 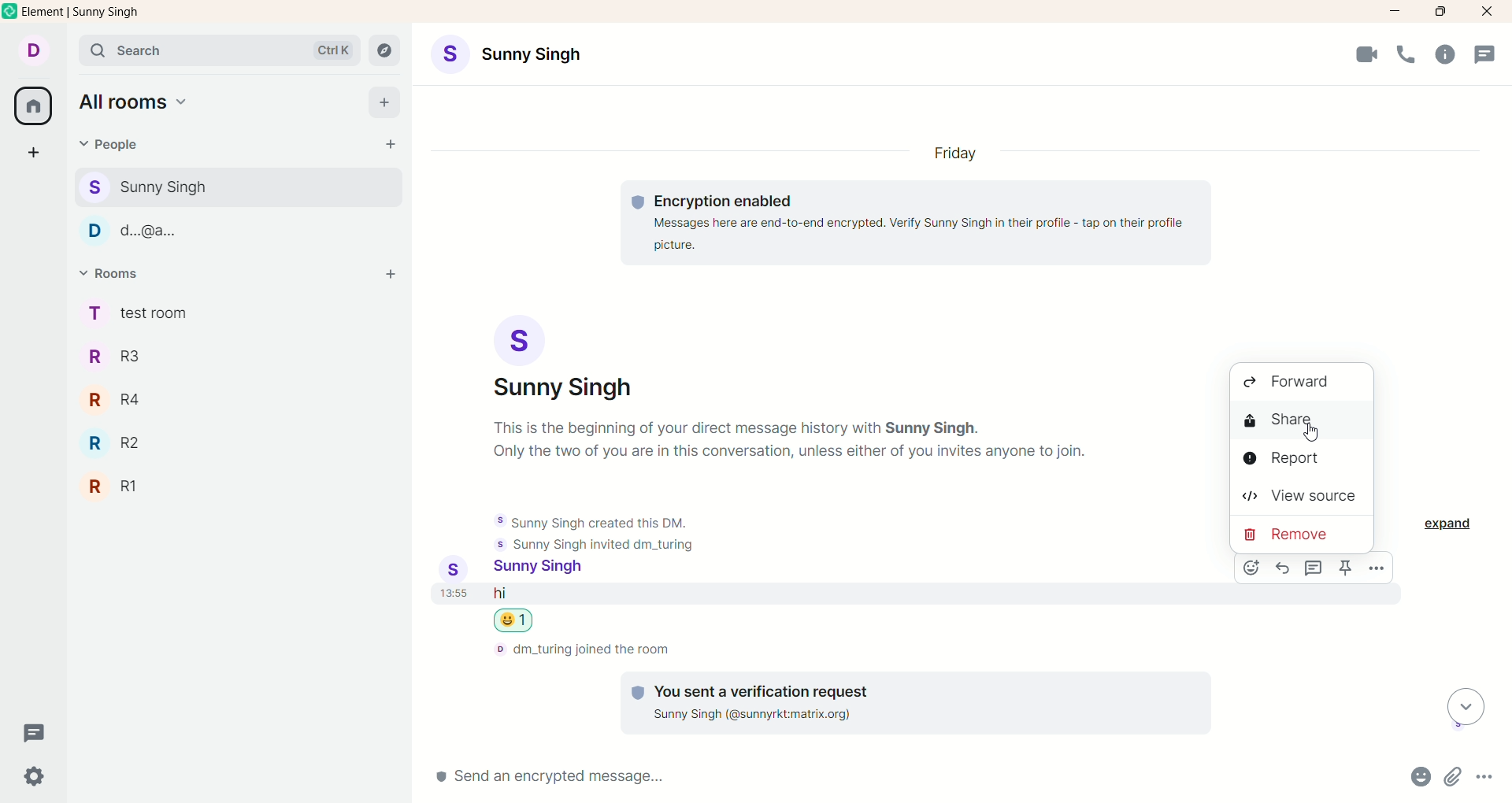 What do you see at coordinates (1449, 55) in the screenshot?
I see `room info` at bounding box center [1449, 55].